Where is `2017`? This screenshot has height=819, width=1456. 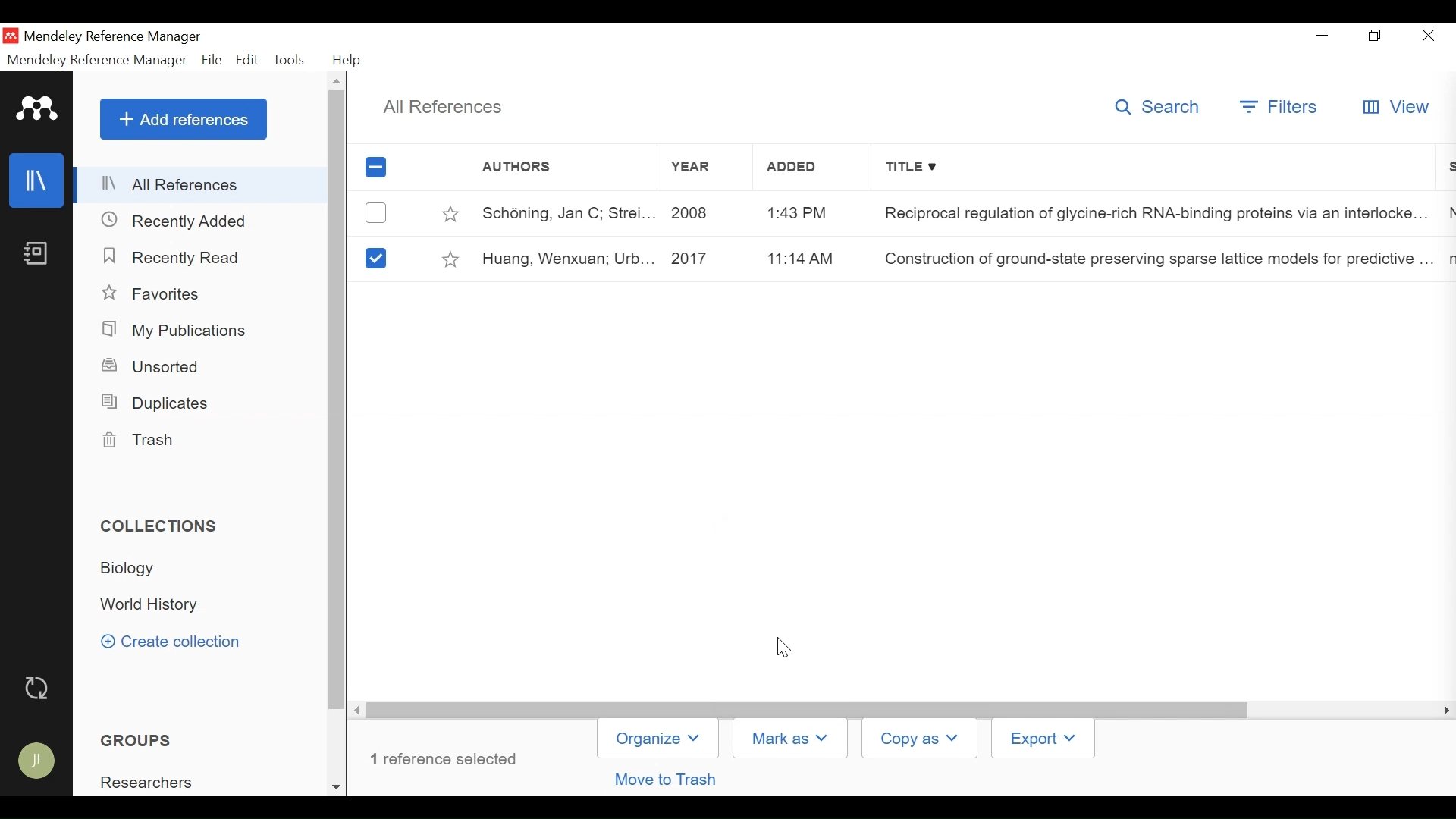 2017 is located at coordinates (697, 258).